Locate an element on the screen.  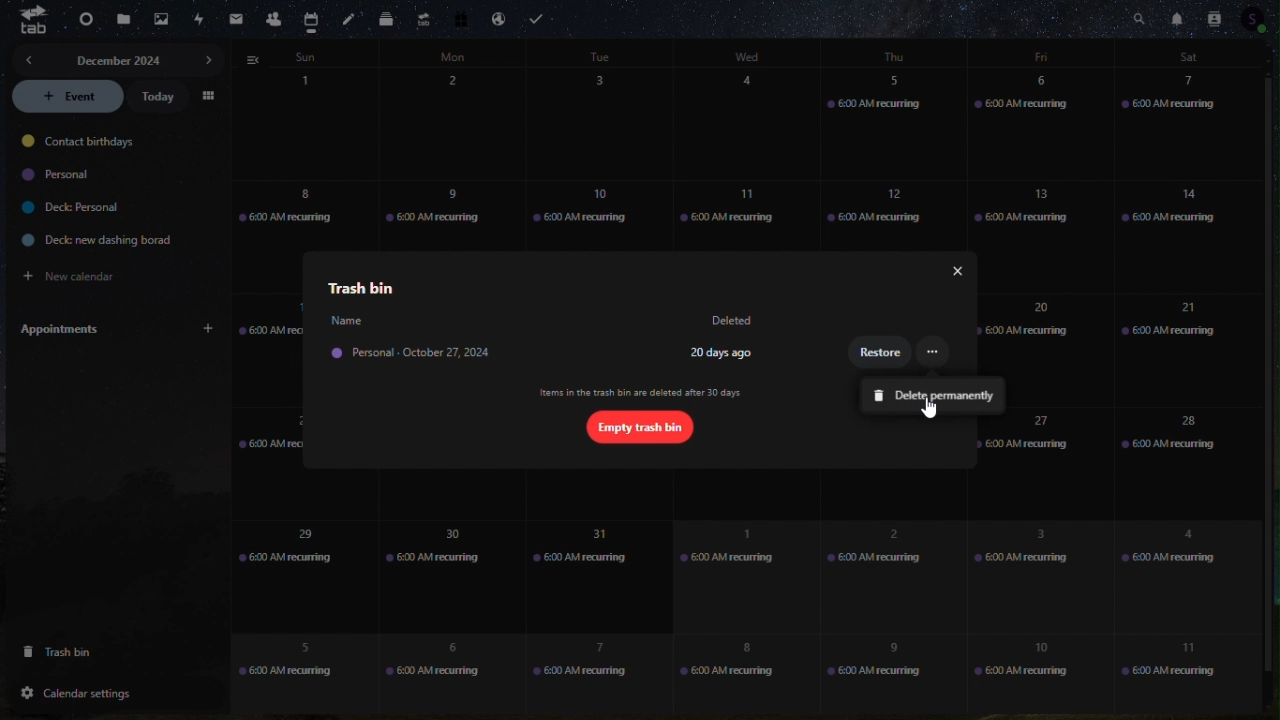
10 is located at coordinates (1034, 673).